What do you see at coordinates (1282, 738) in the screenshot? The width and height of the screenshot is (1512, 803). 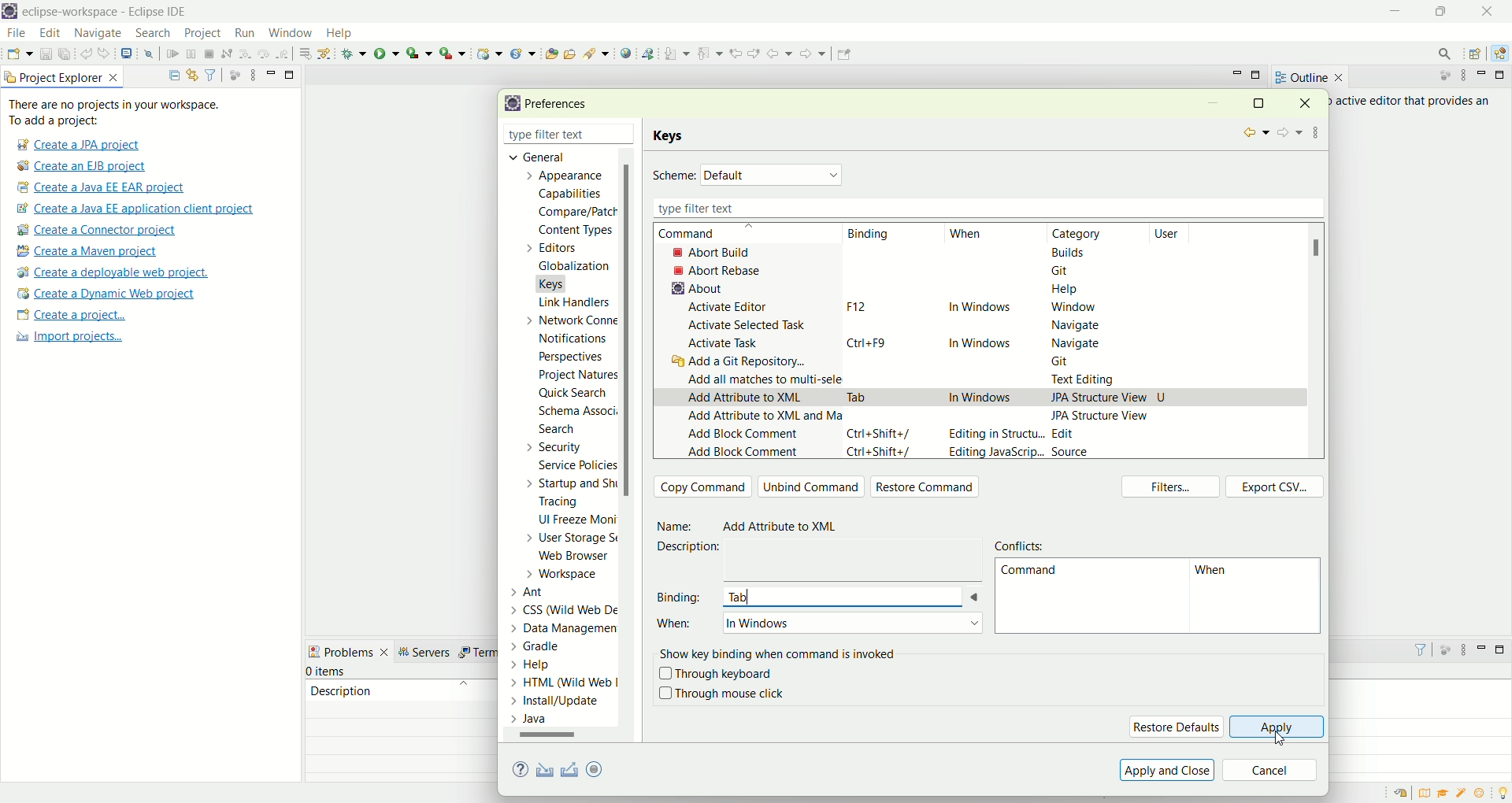 I see `cursor` at bounding box center [1282, 738].